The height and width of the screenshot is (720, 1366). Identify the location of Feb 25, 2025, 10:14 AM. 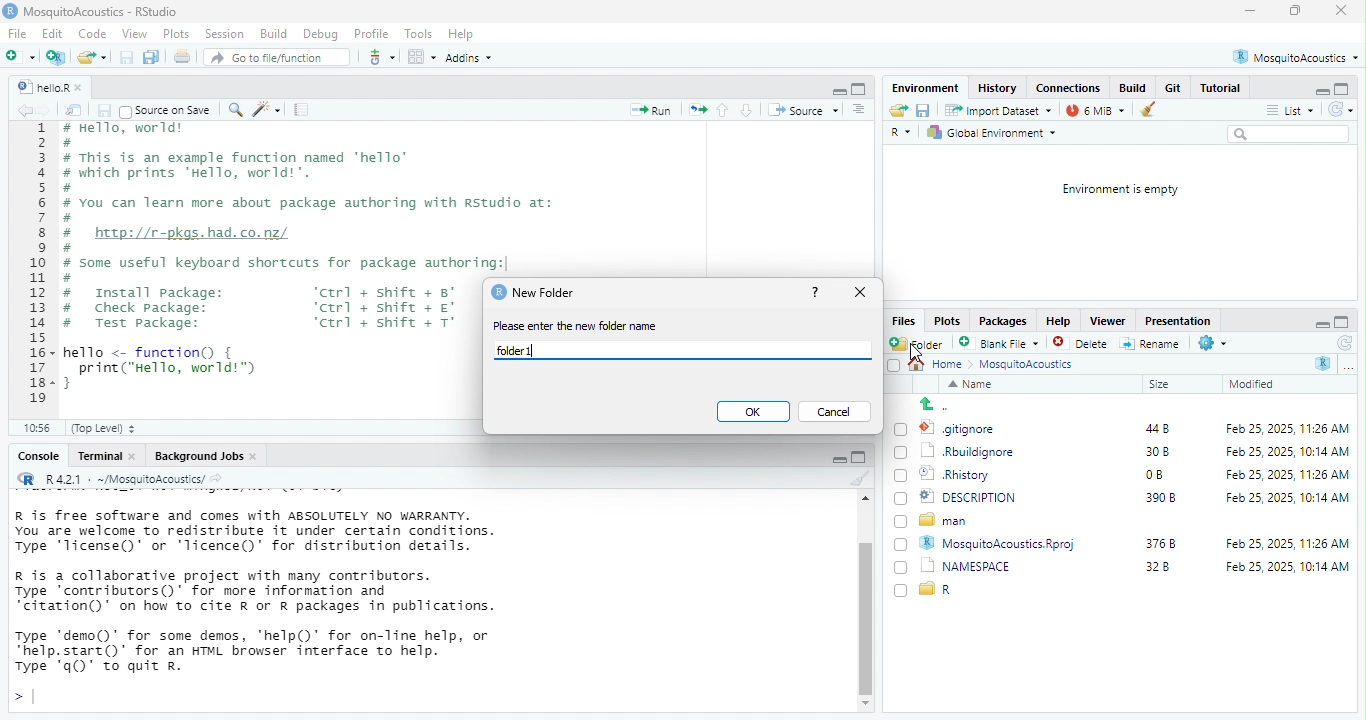
(1286, 497).